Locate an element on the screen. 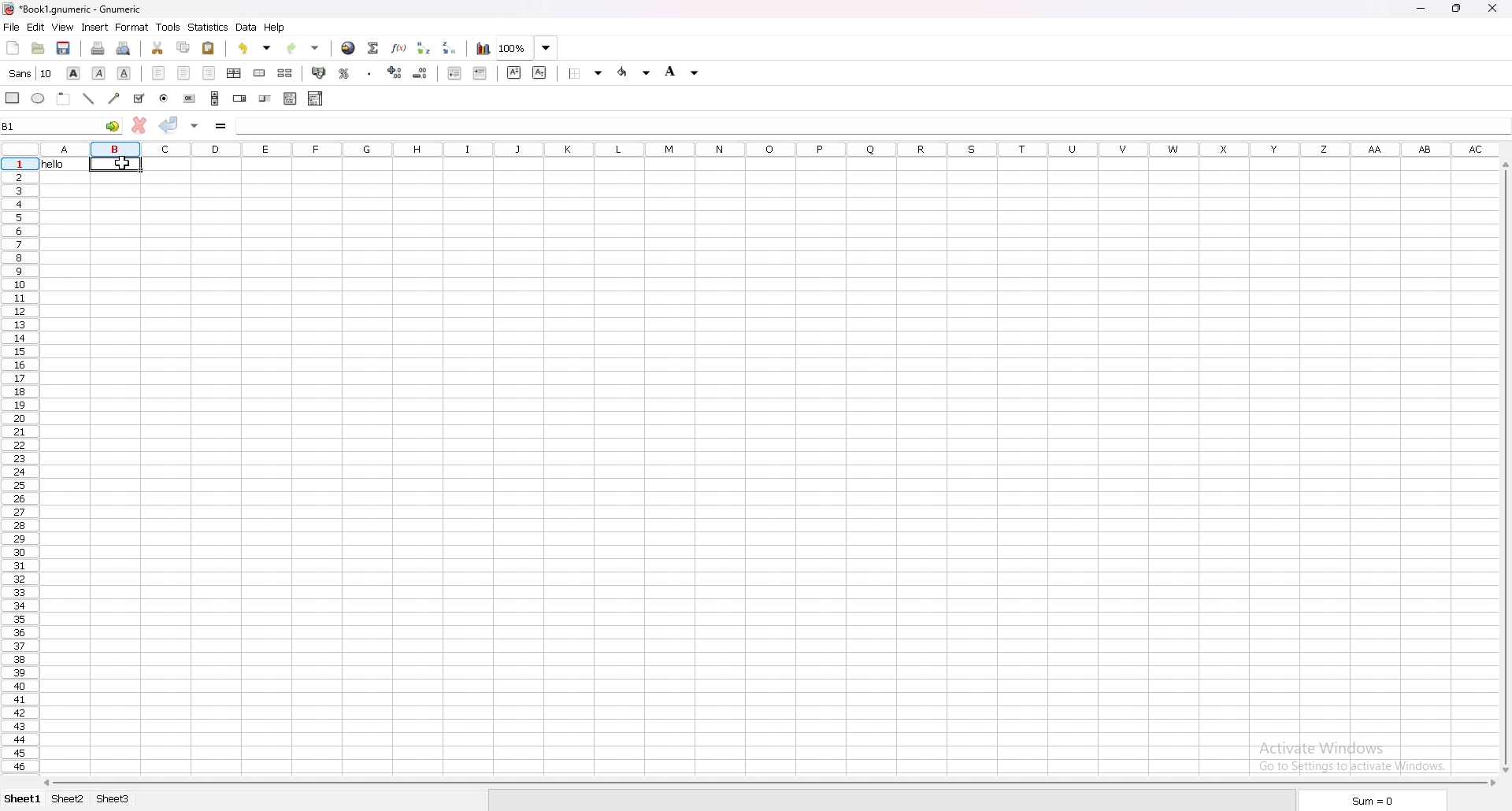  sheet is located at coordinates (22, 799).